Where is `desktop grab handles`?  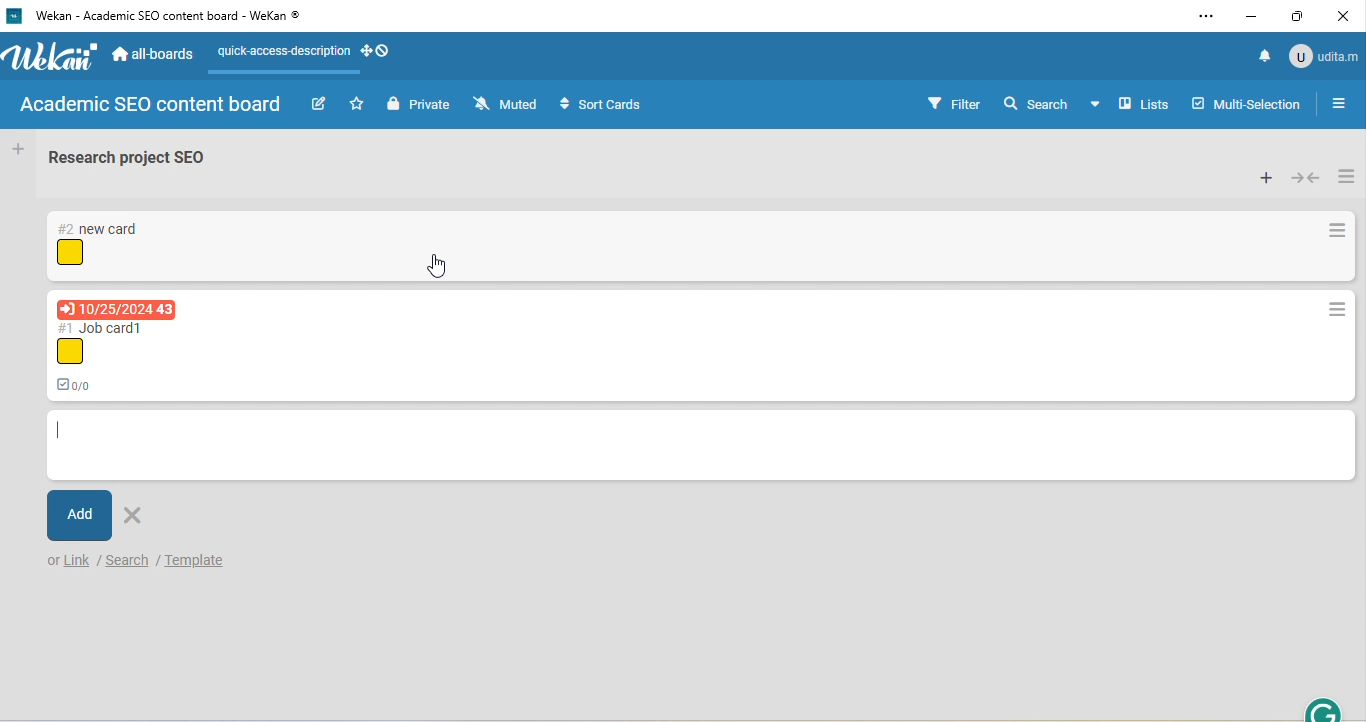
desktop grab handles is located at coordinates (377, 50).